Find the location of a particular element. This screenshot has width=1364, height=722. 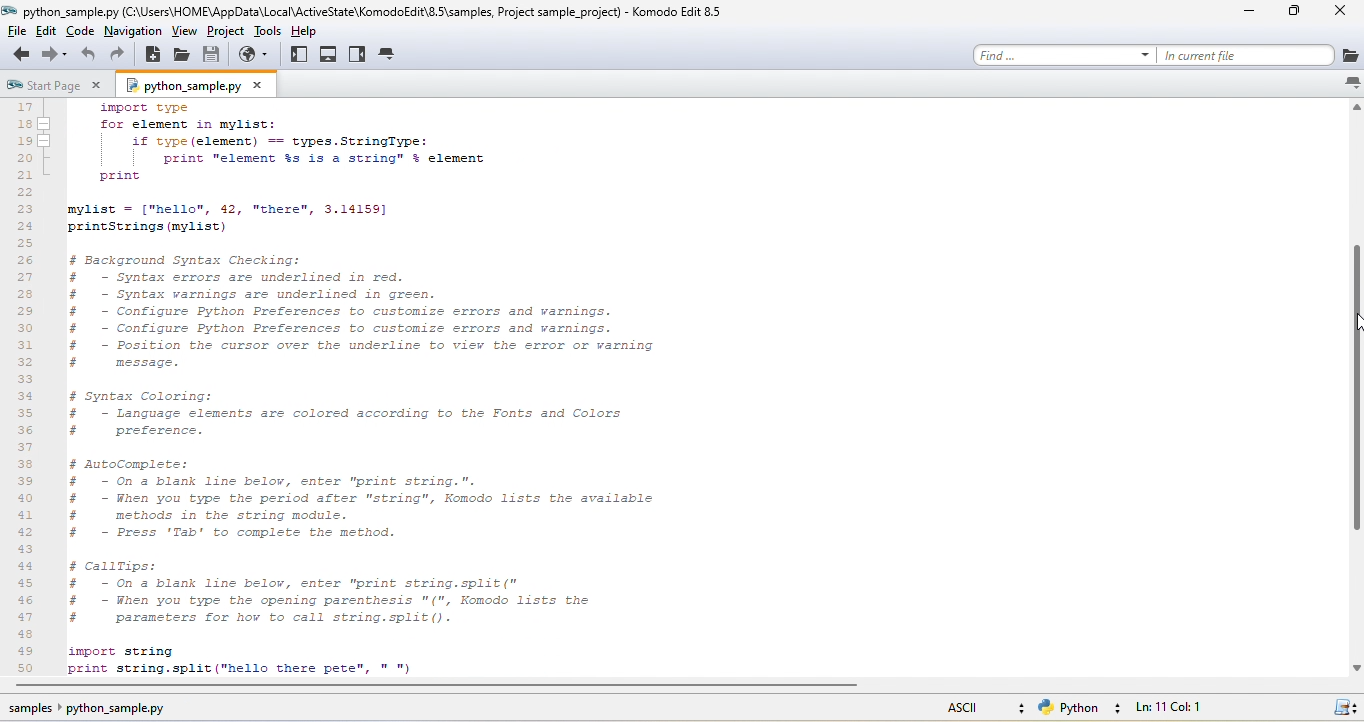

bottom pane is located at coordinates (329, 55).